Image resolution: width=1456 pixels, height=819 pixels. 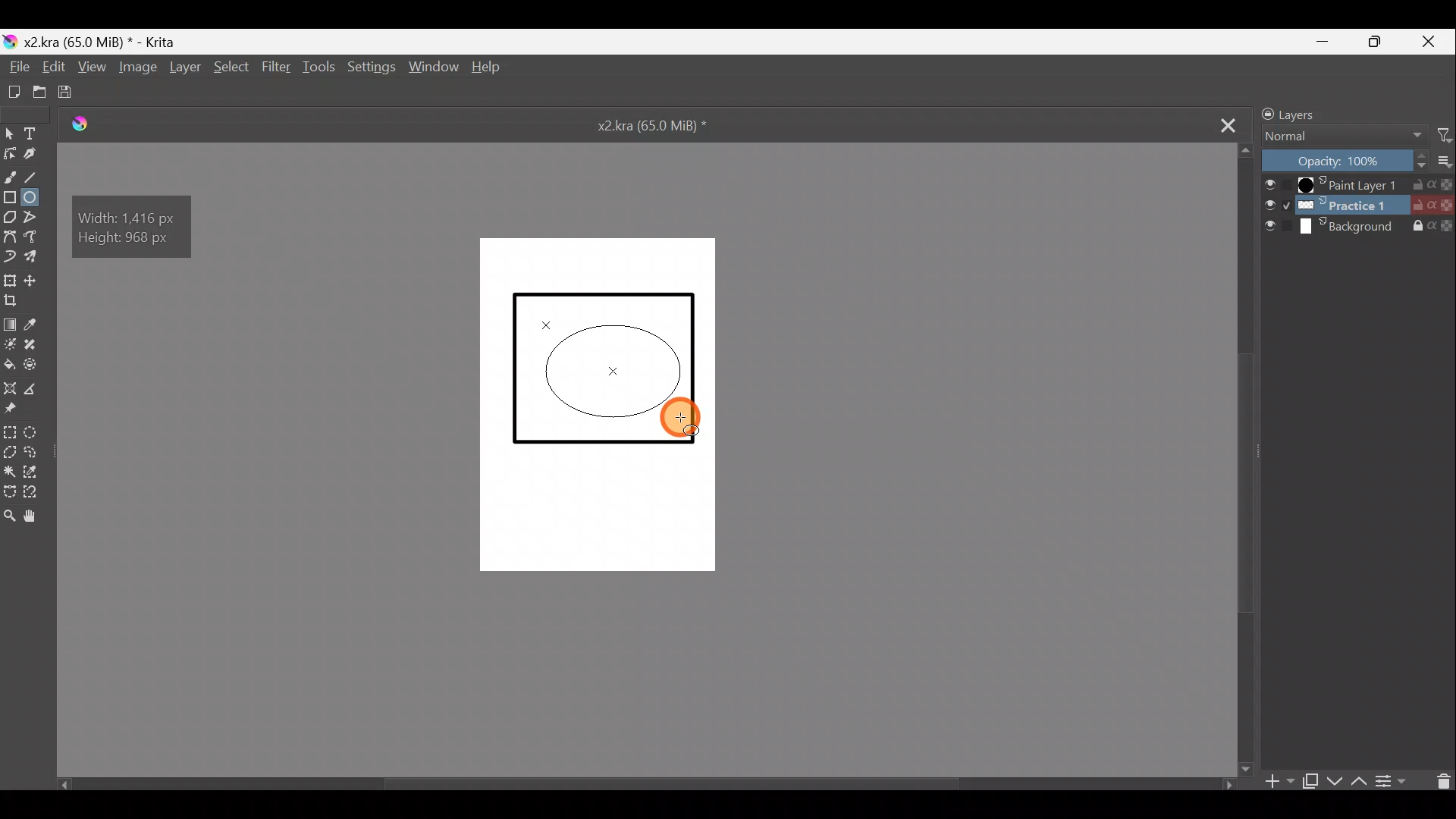 What do you see at coordinates (1263, 113) in the screenshot?
I see `lock/unlock docker` at bounding box center [1263, 113].